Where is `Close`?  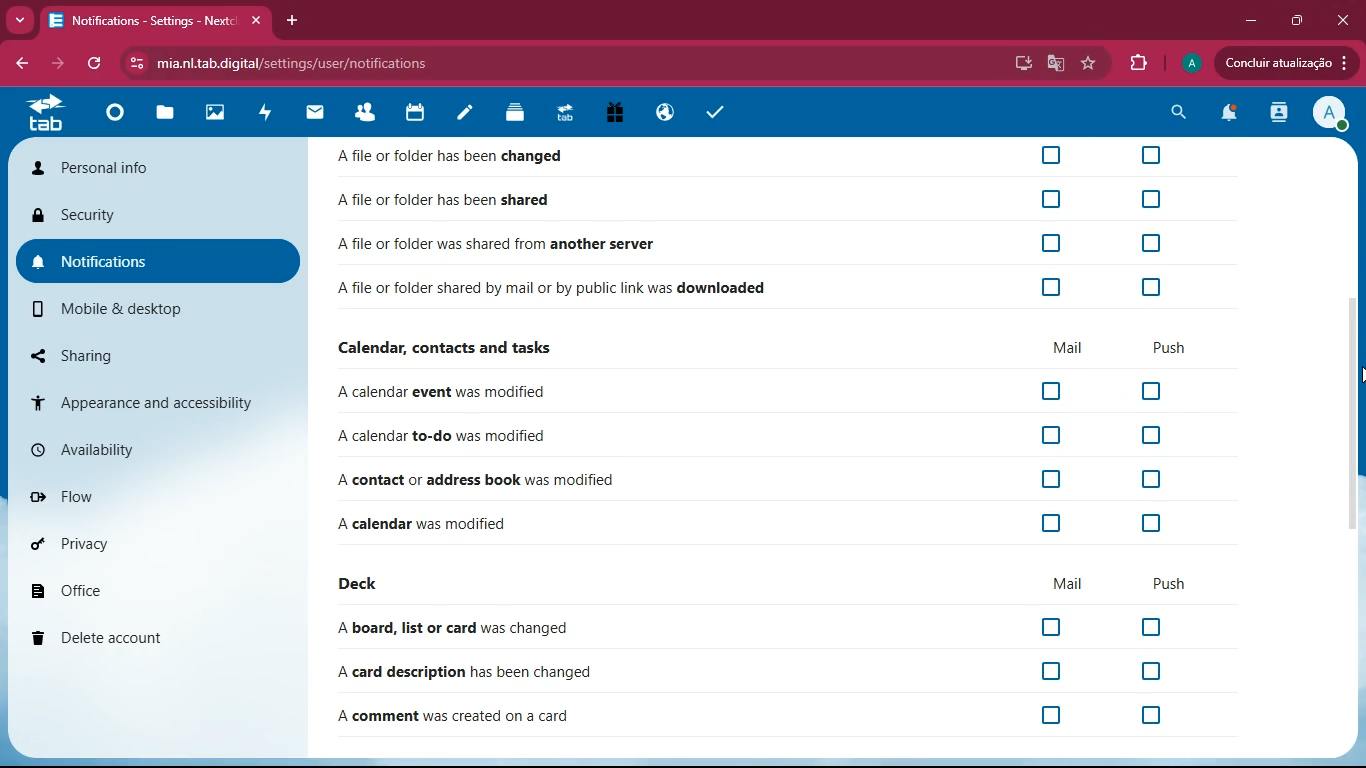
Close is located at coordinates (1343, 20).